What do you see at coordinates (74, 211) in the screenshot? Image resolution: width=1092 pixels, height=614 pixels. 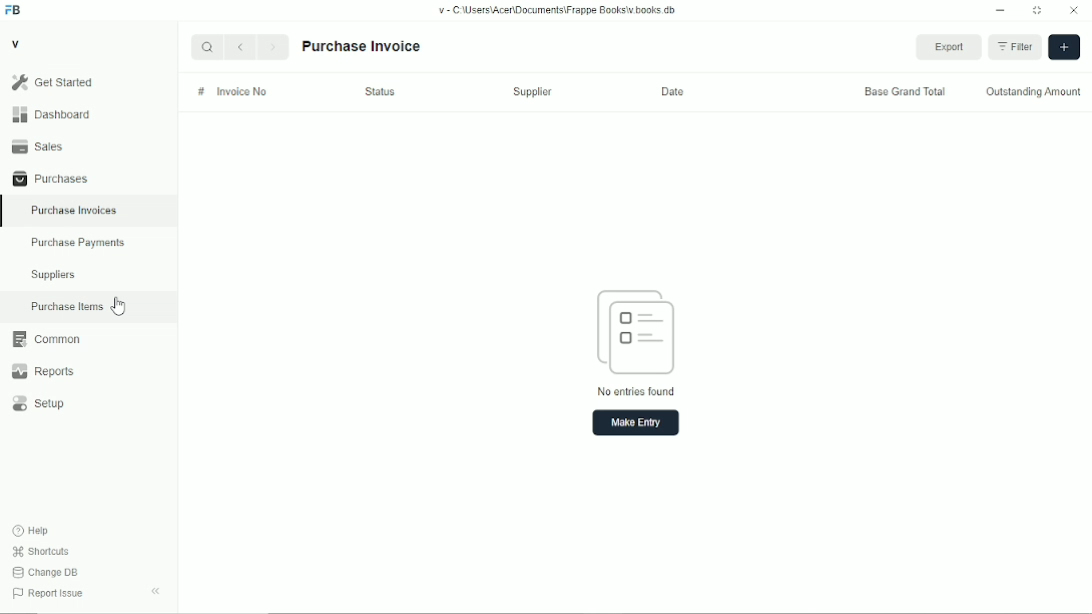 I see `purchase invoices` at bounding box center [74, 211].